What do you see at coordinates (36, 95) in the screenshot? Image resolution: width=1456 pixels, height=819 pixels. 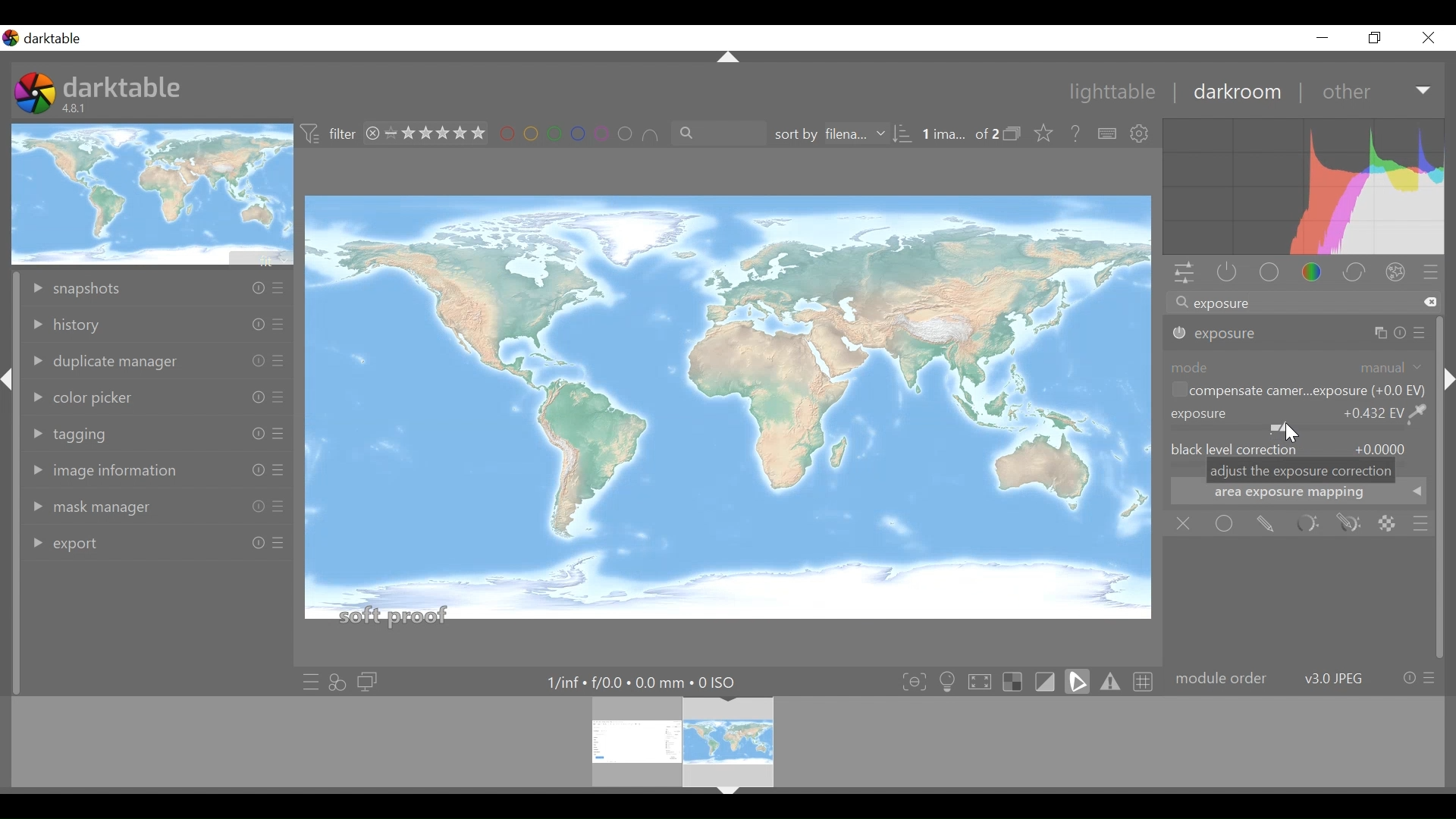 I see `Darktable Desktop Icon` at bounding box center [36, 95].